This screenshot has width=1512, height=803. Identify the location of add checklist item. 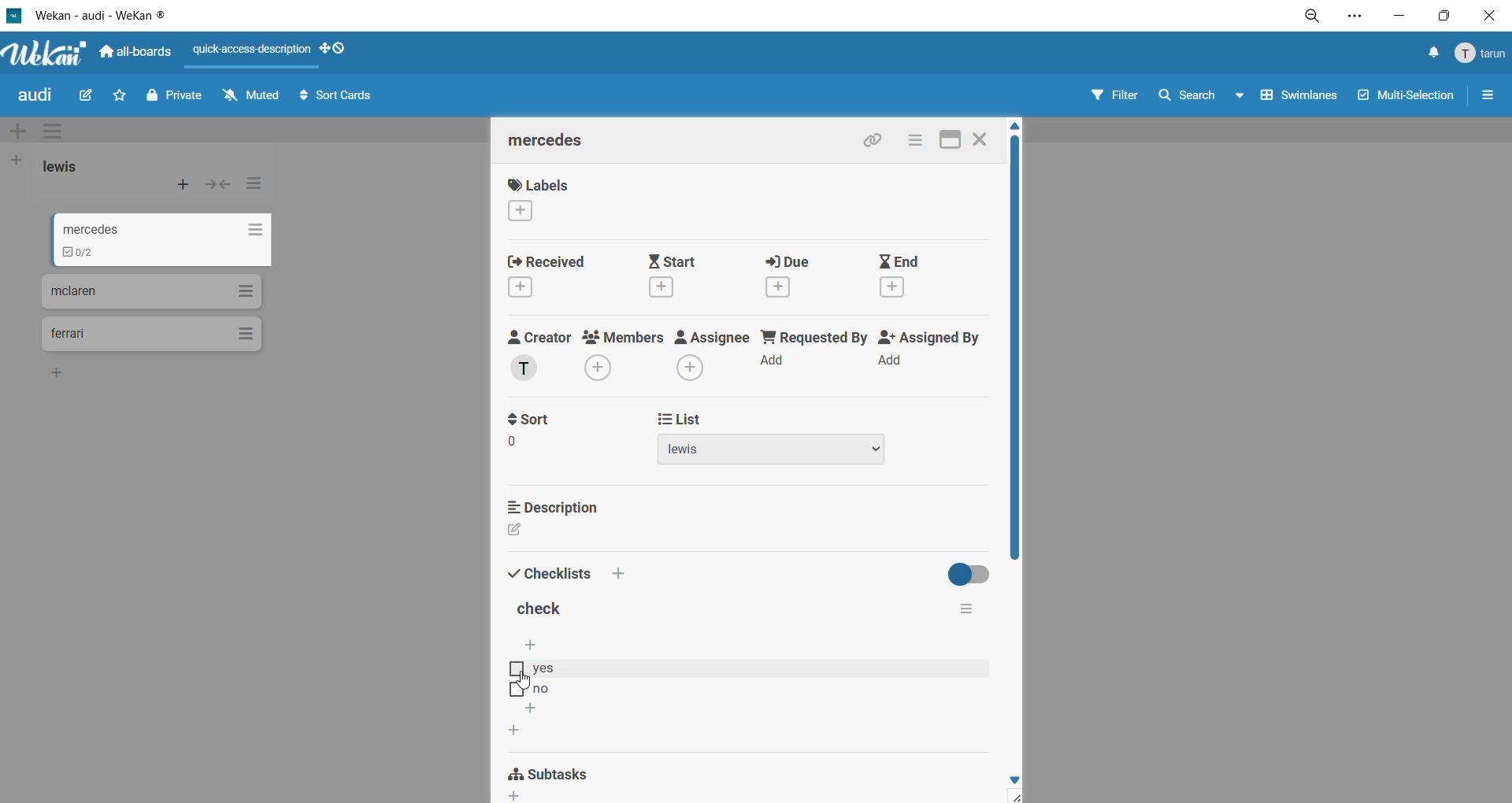
(532, 709).